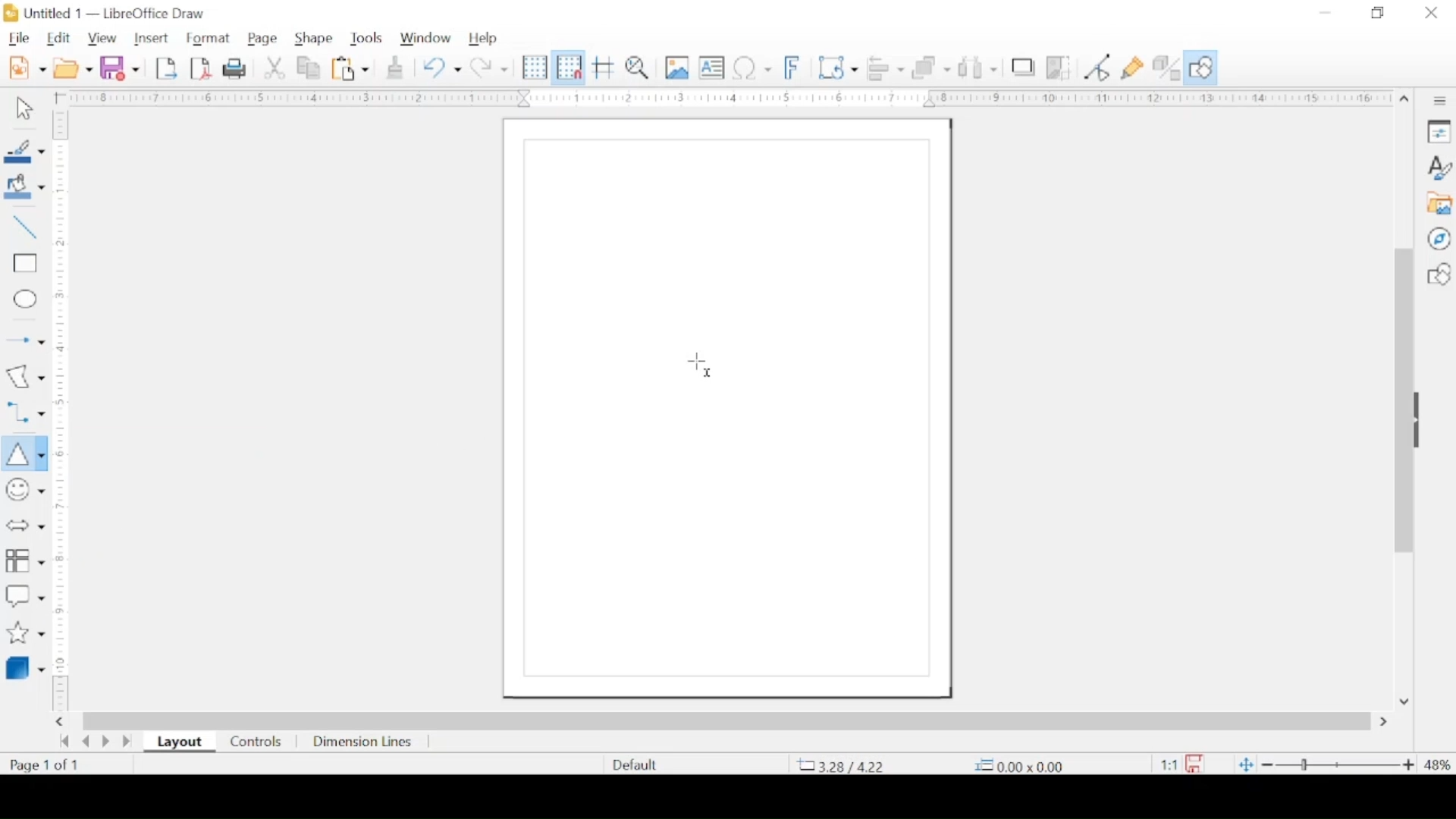  Describe the element at coordinates (121, 67) in the screenshot. I see `save` at that location.